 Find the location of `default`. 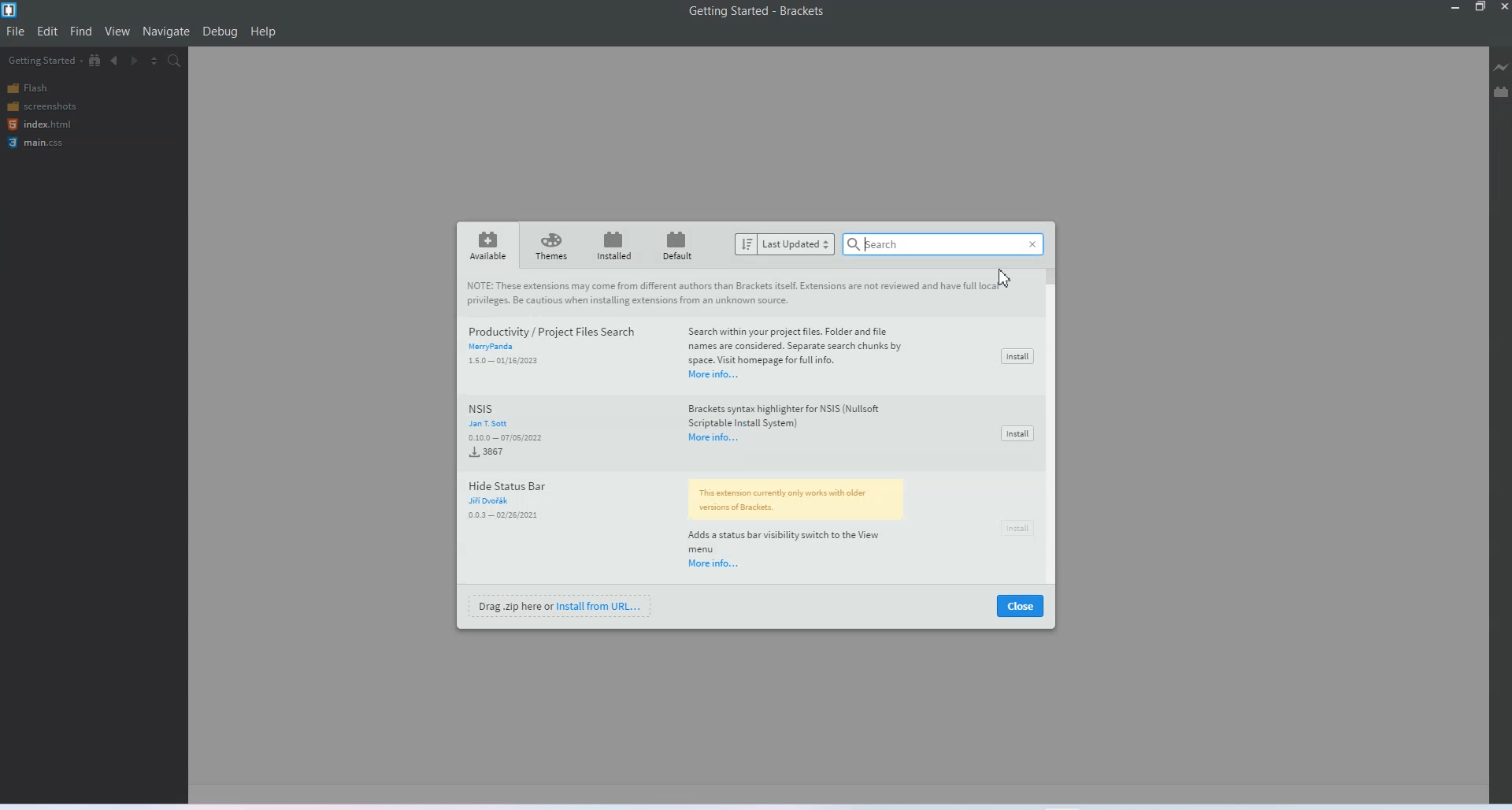

default is located at coordinates (680, 244).